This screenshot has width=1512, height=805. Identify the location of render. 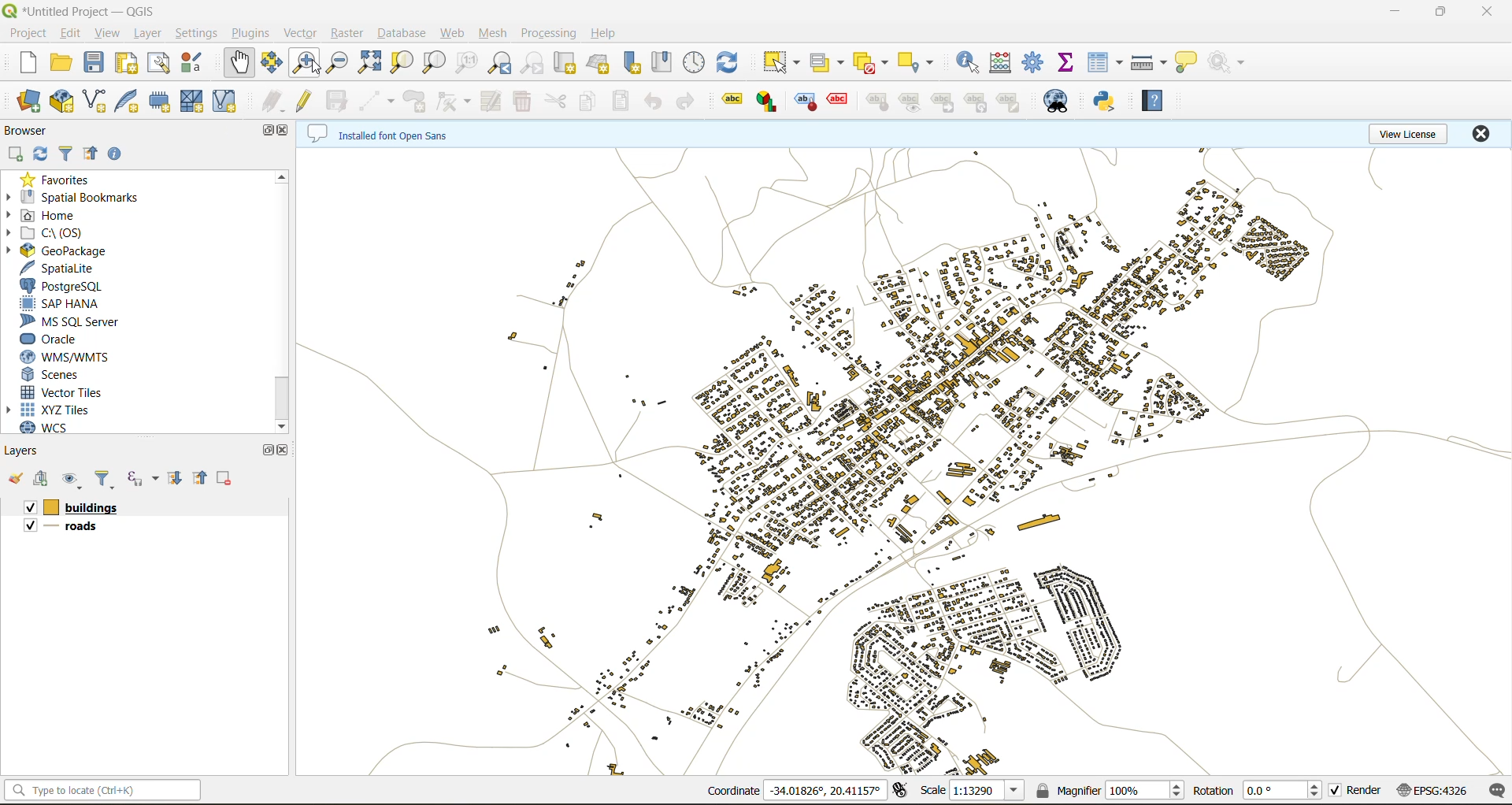
(1357, 793).